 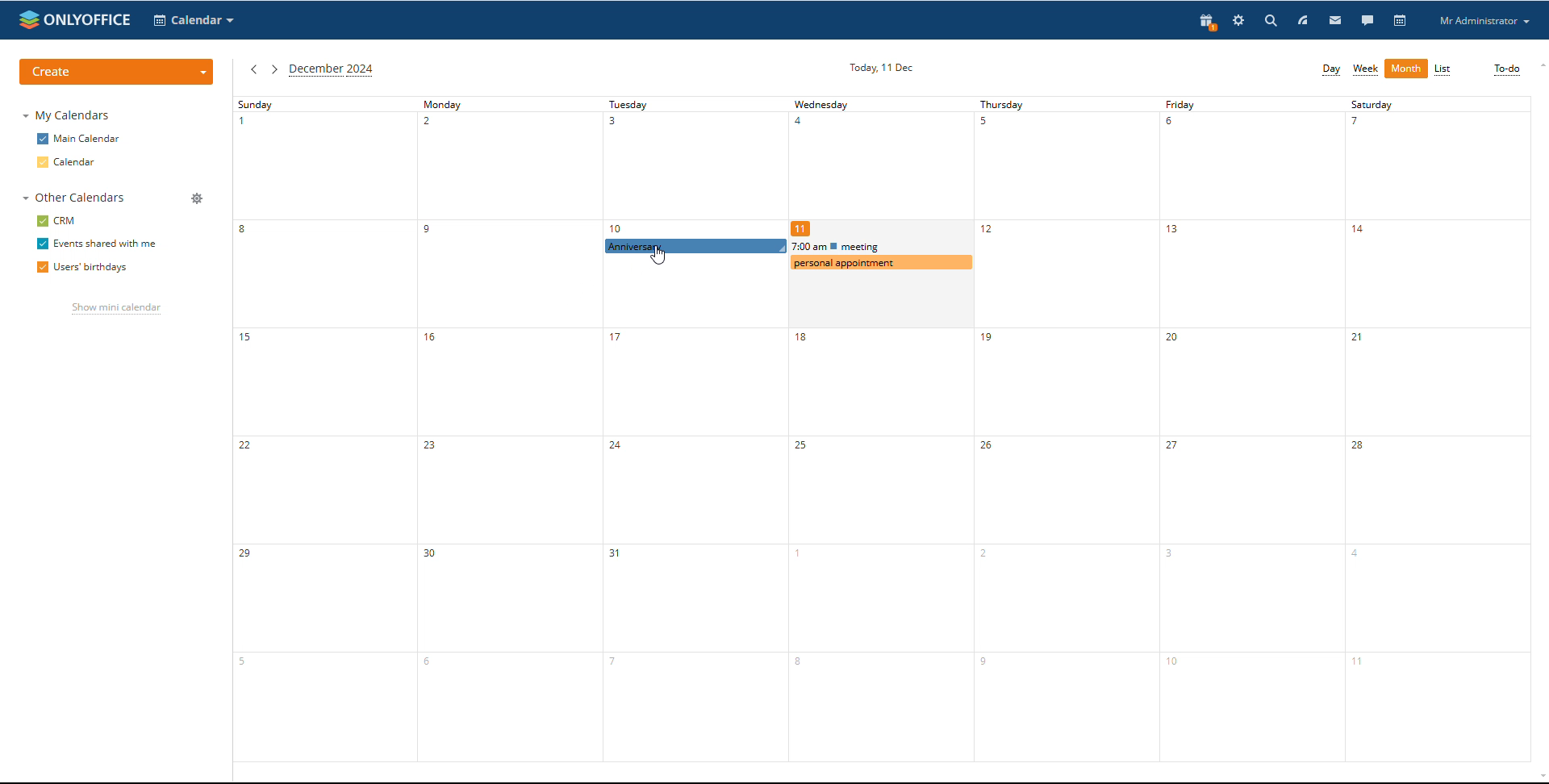 I want to click on thursday, so click(x=1066, y=430).